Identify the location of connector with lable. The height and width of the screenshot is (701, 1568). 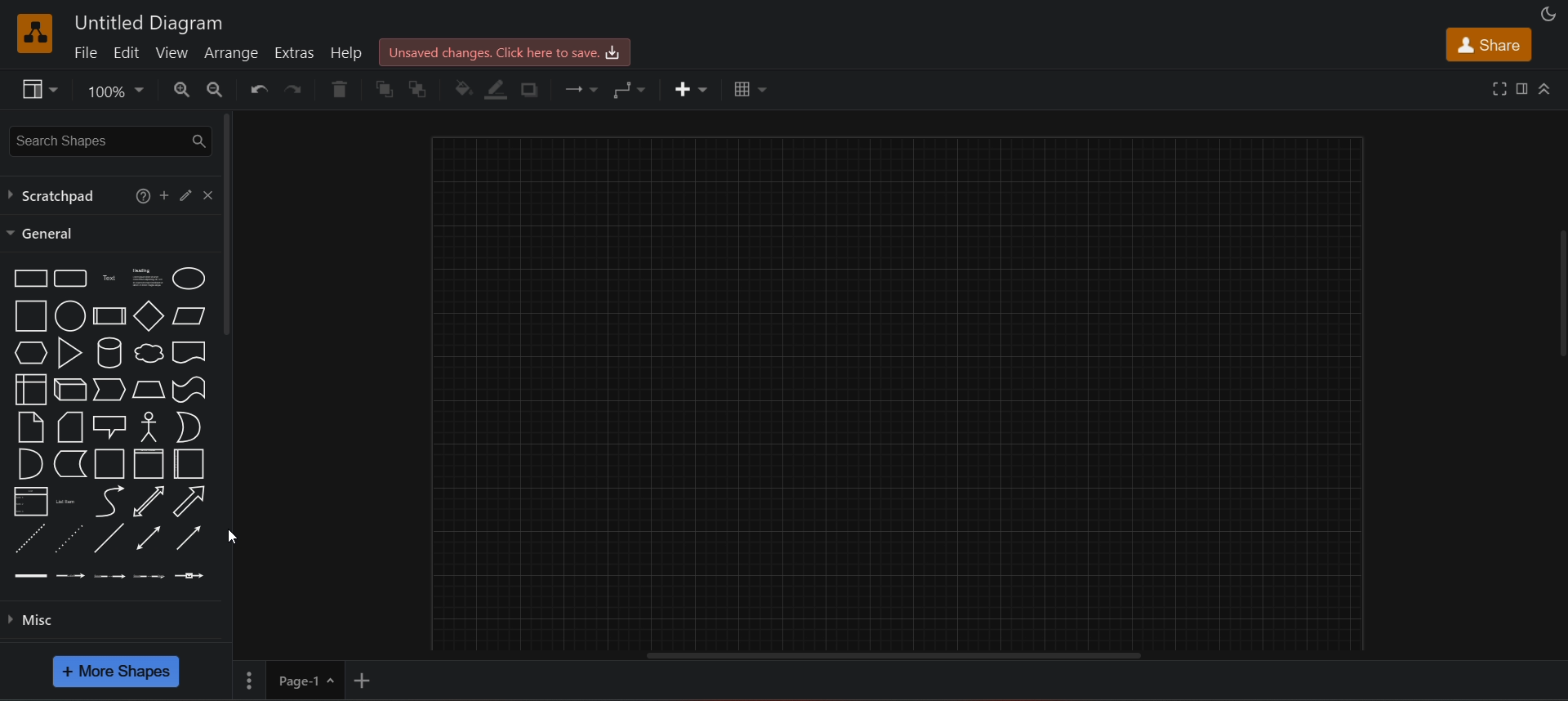
(69, 576).